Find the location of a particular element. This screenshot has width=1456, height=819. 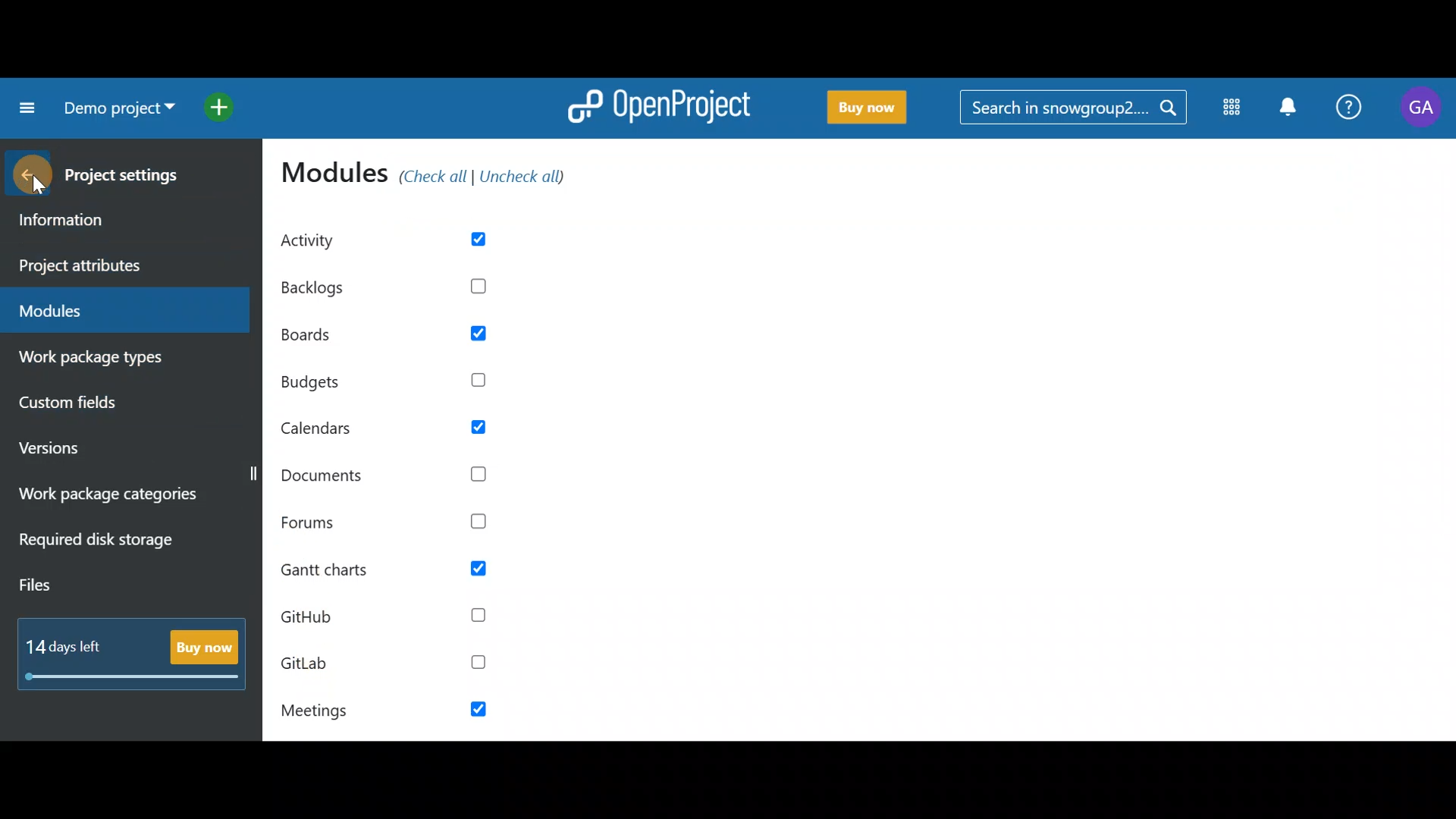

Required disk storage is located at coordinates (112, 548).